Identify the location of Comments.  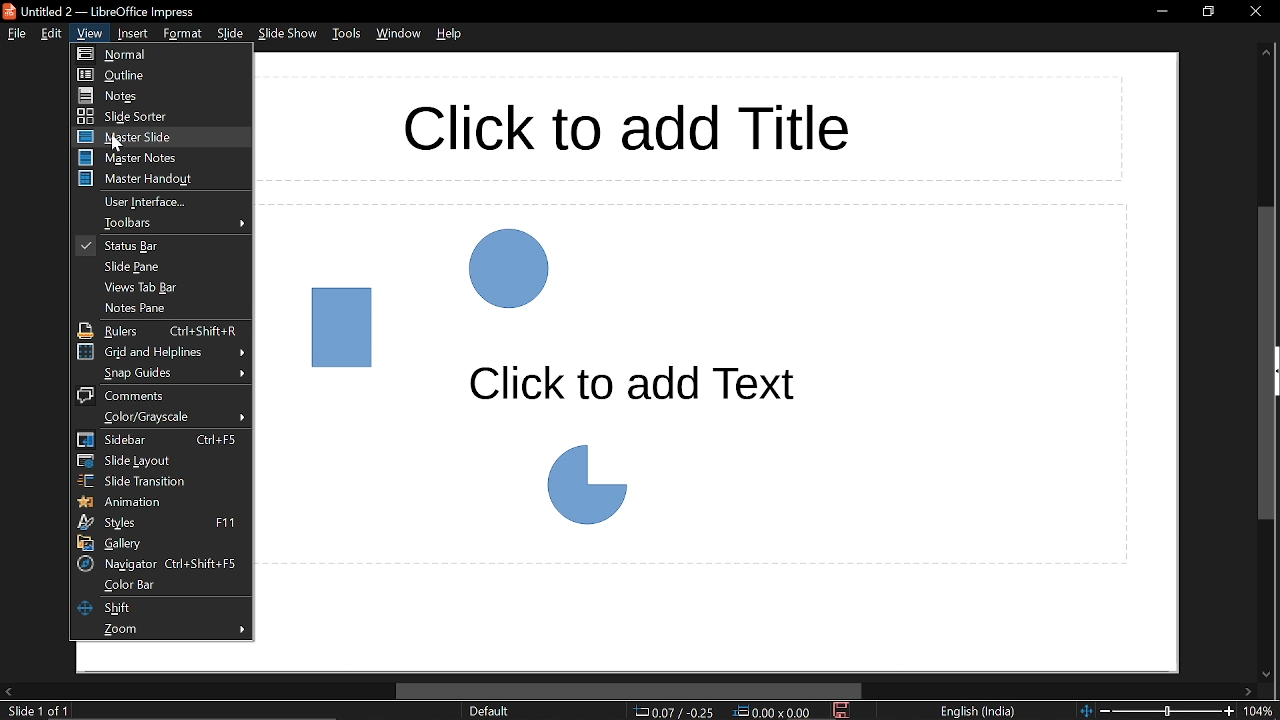
(158, 395).